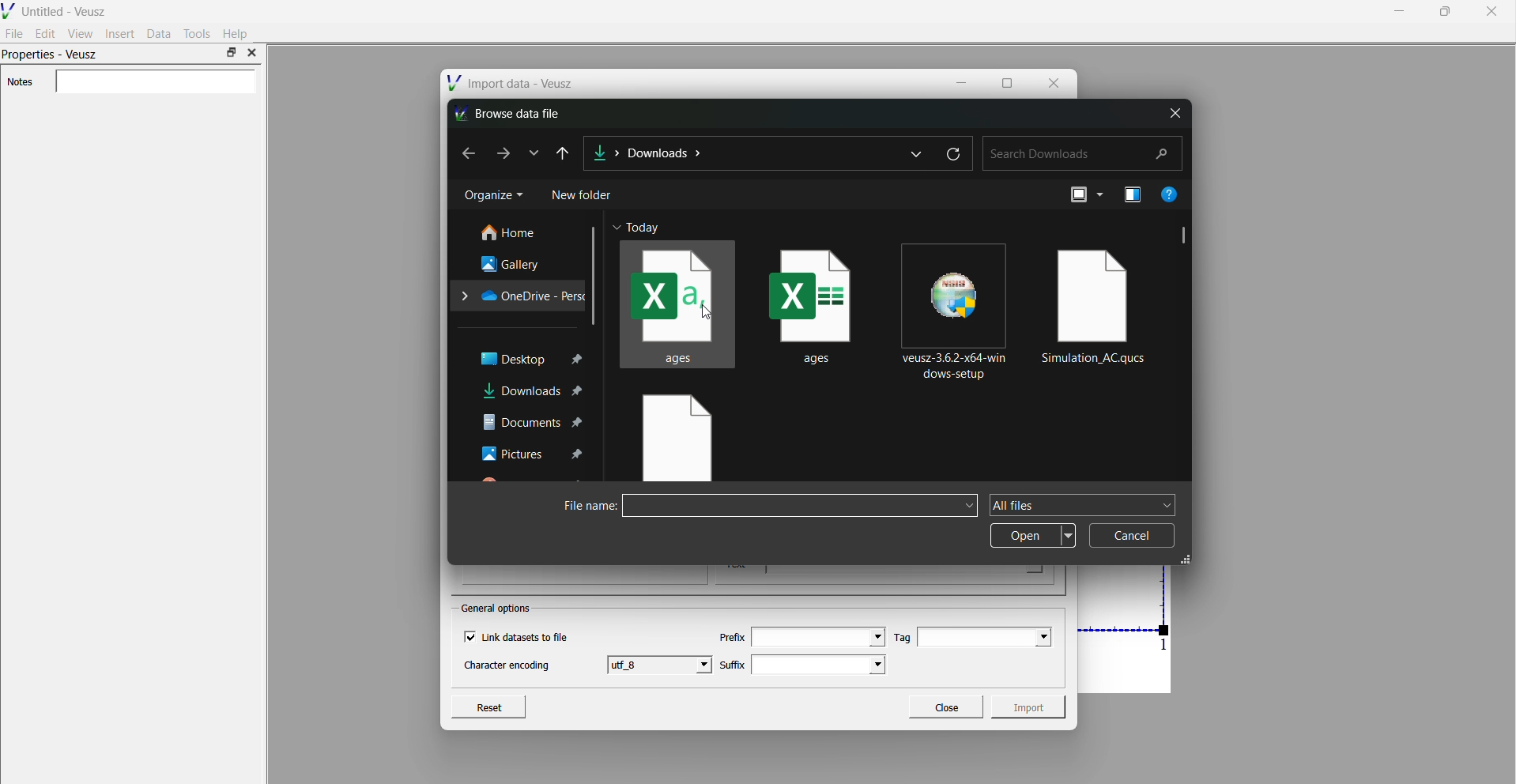 The height and width of the screenshot is (784, 1516). Describe the element at coordinates (531, 358) in the screenshot. I see `Desktop` at that location.